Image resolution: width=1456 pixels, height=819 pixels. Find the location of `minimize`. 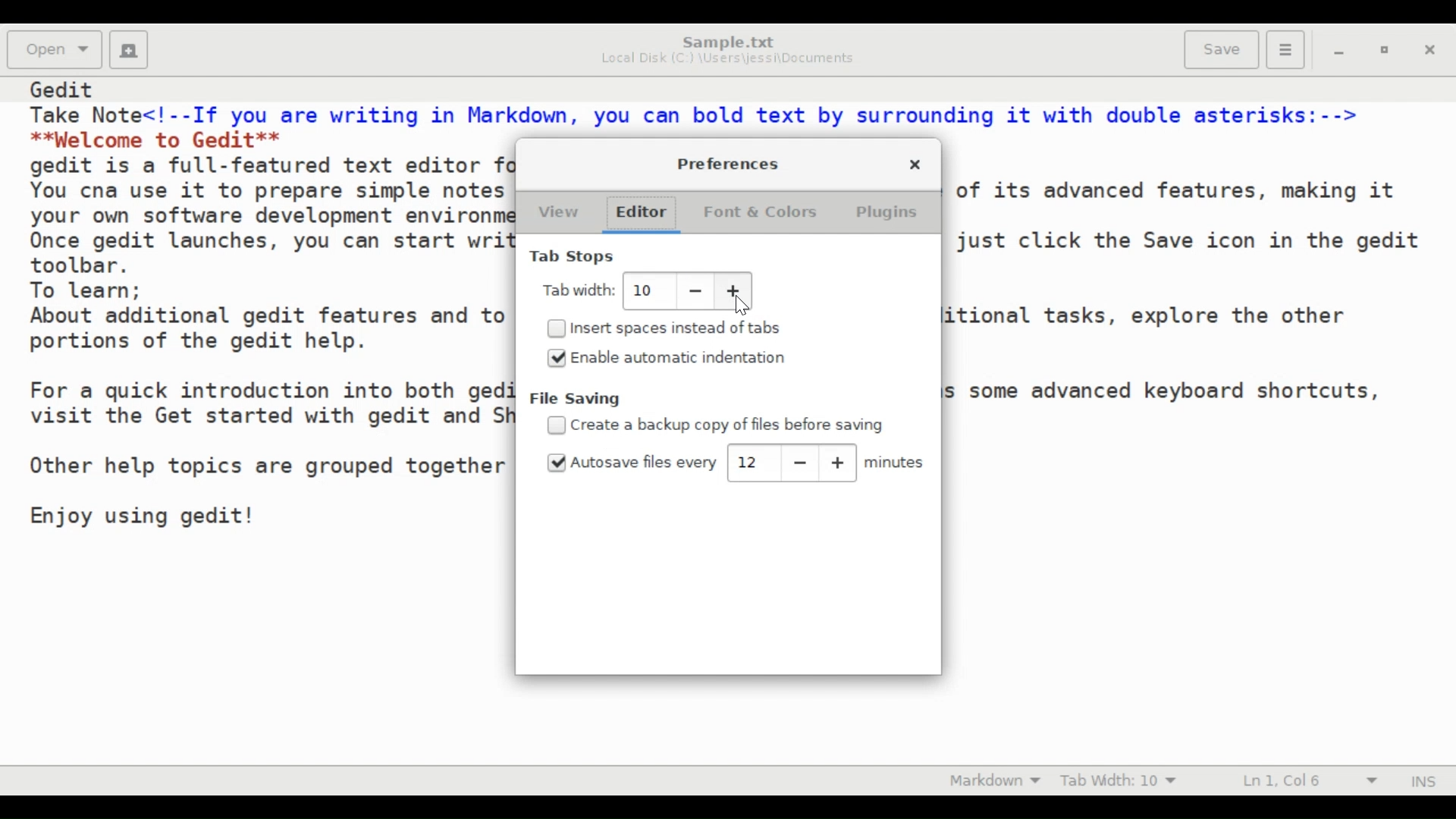

minimize is located at coordinates (1341, 54).